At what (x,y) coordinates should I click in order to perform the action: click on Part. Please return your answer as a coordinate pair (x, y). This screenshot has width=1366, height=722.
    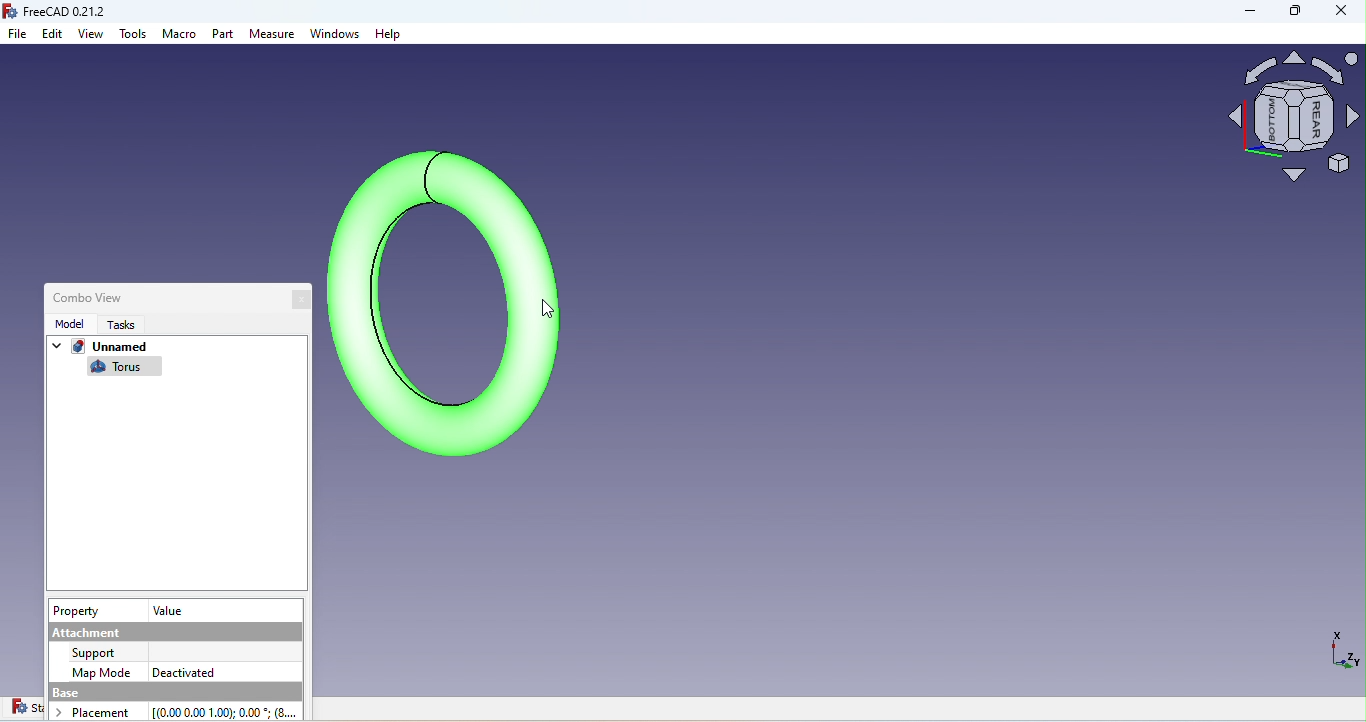
    Looking at the image, I should click on (224, 36).